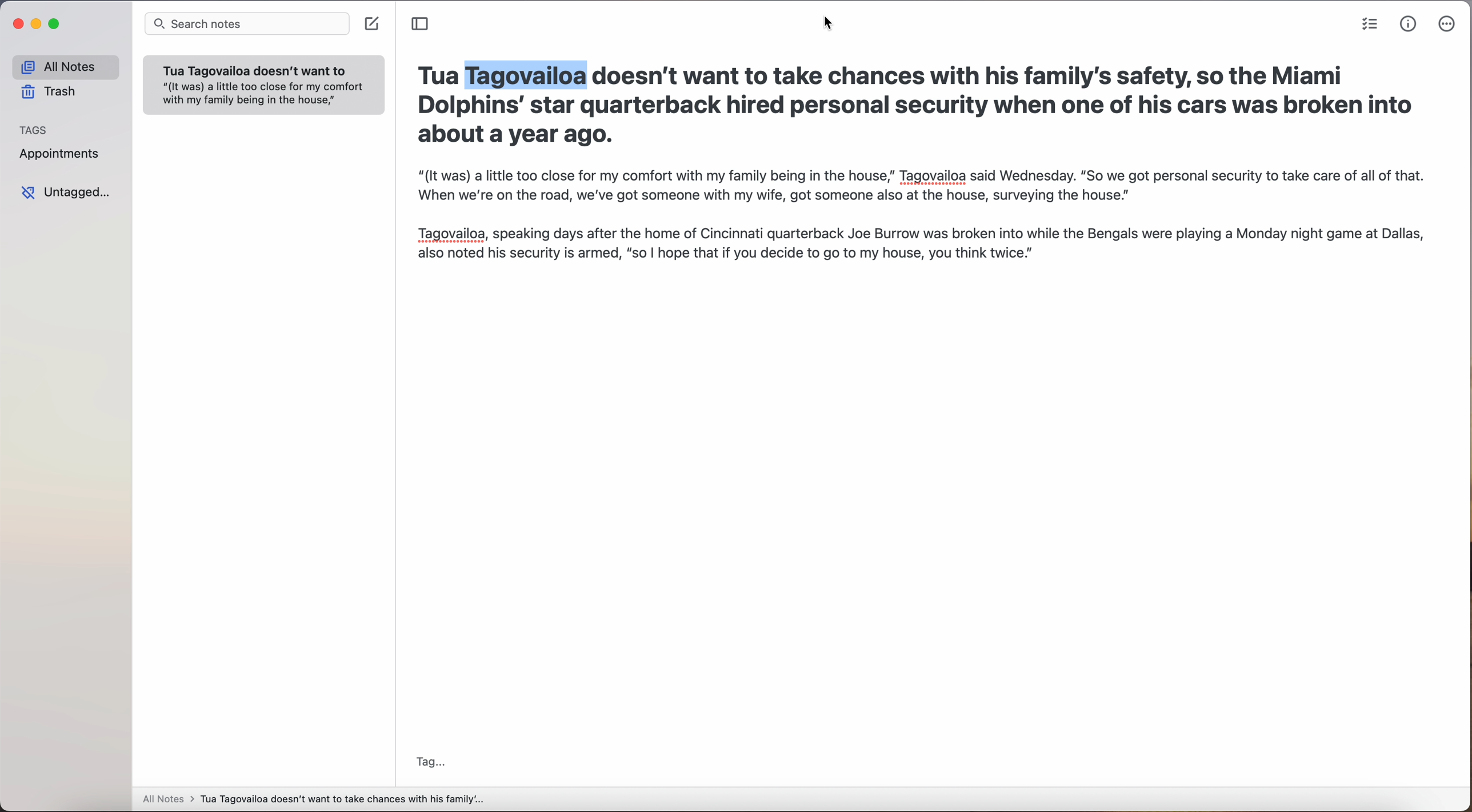 The height and width of the screenshot is (812, 1472). What do you see at coordinates (433, 760) in the screenshot?
I see `tag` at bounding box center [433, 760].